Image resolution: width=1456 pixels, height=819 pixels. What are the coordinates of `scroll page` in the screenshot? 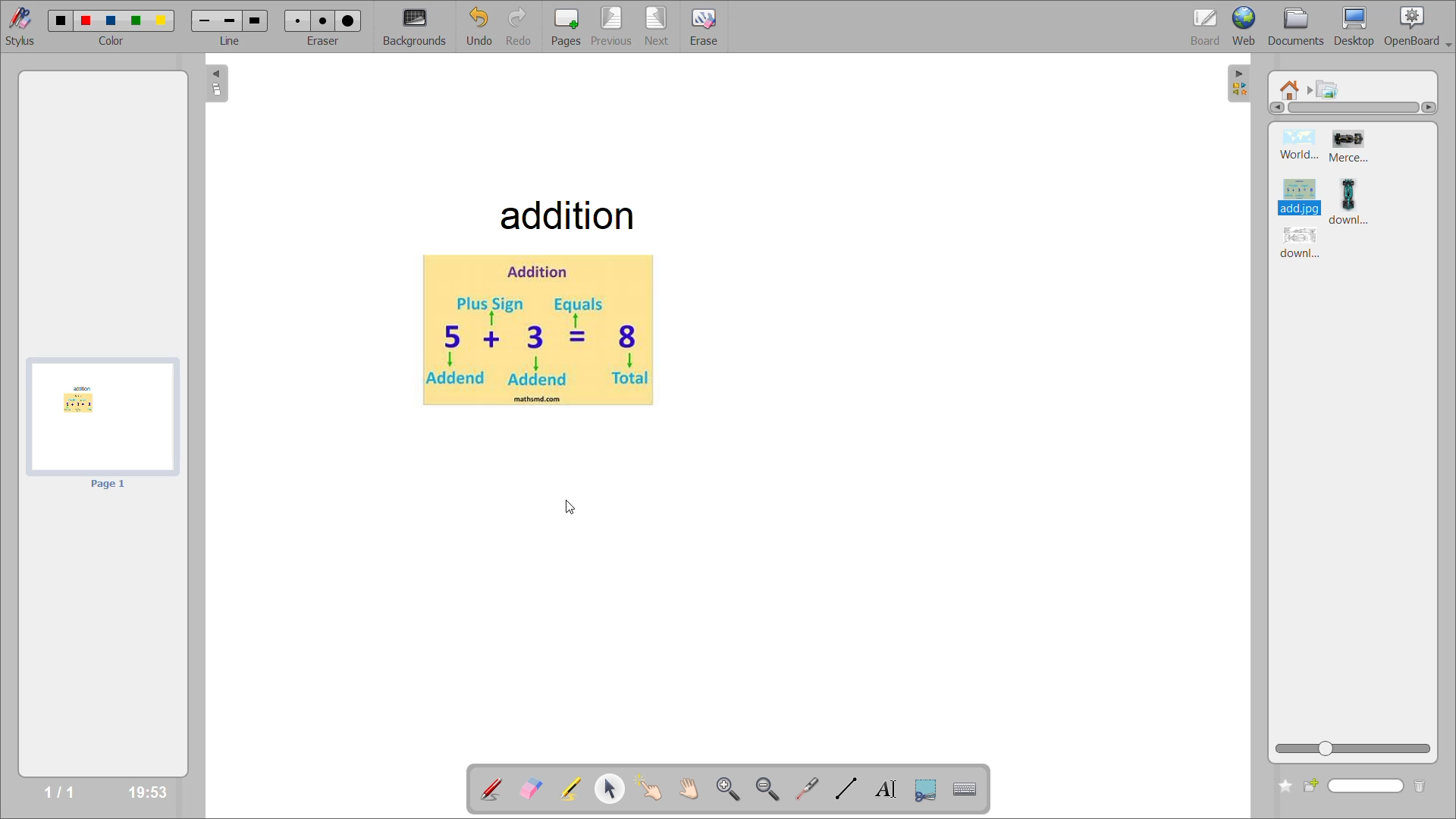 It's located at (694, 787).